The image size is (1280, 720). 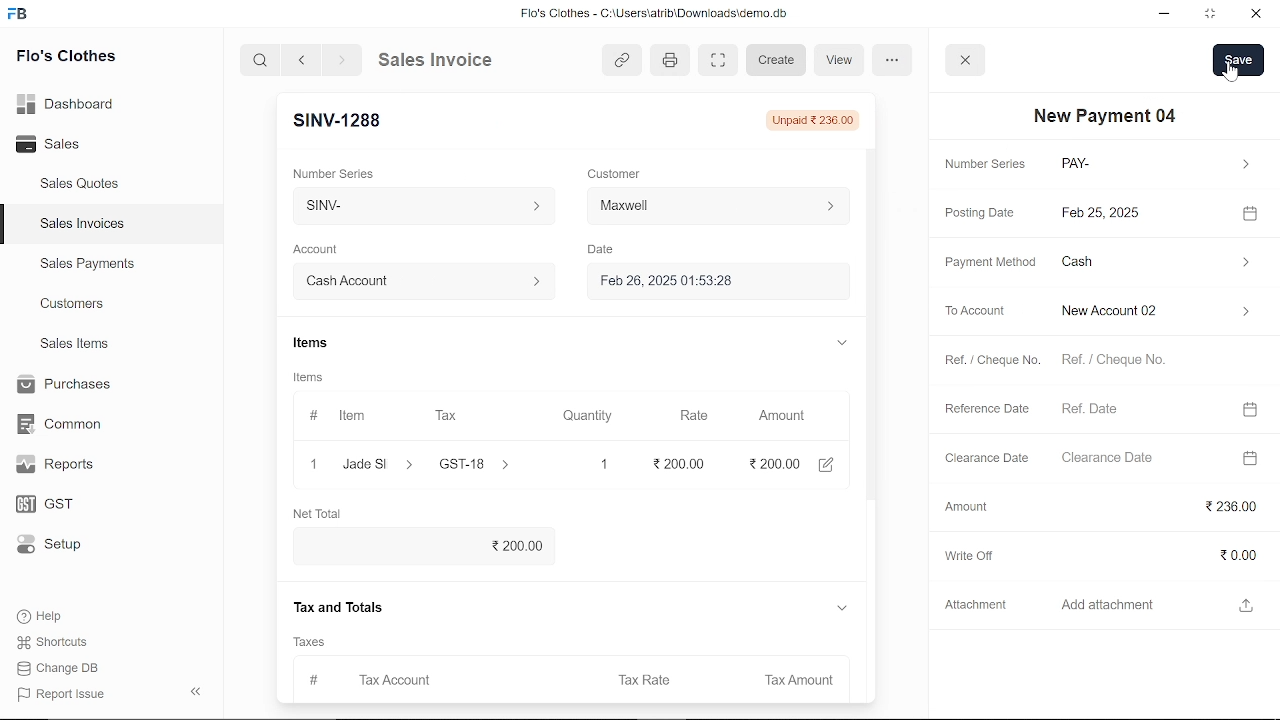 I want to click on full screen, so click(x=717, y=61).